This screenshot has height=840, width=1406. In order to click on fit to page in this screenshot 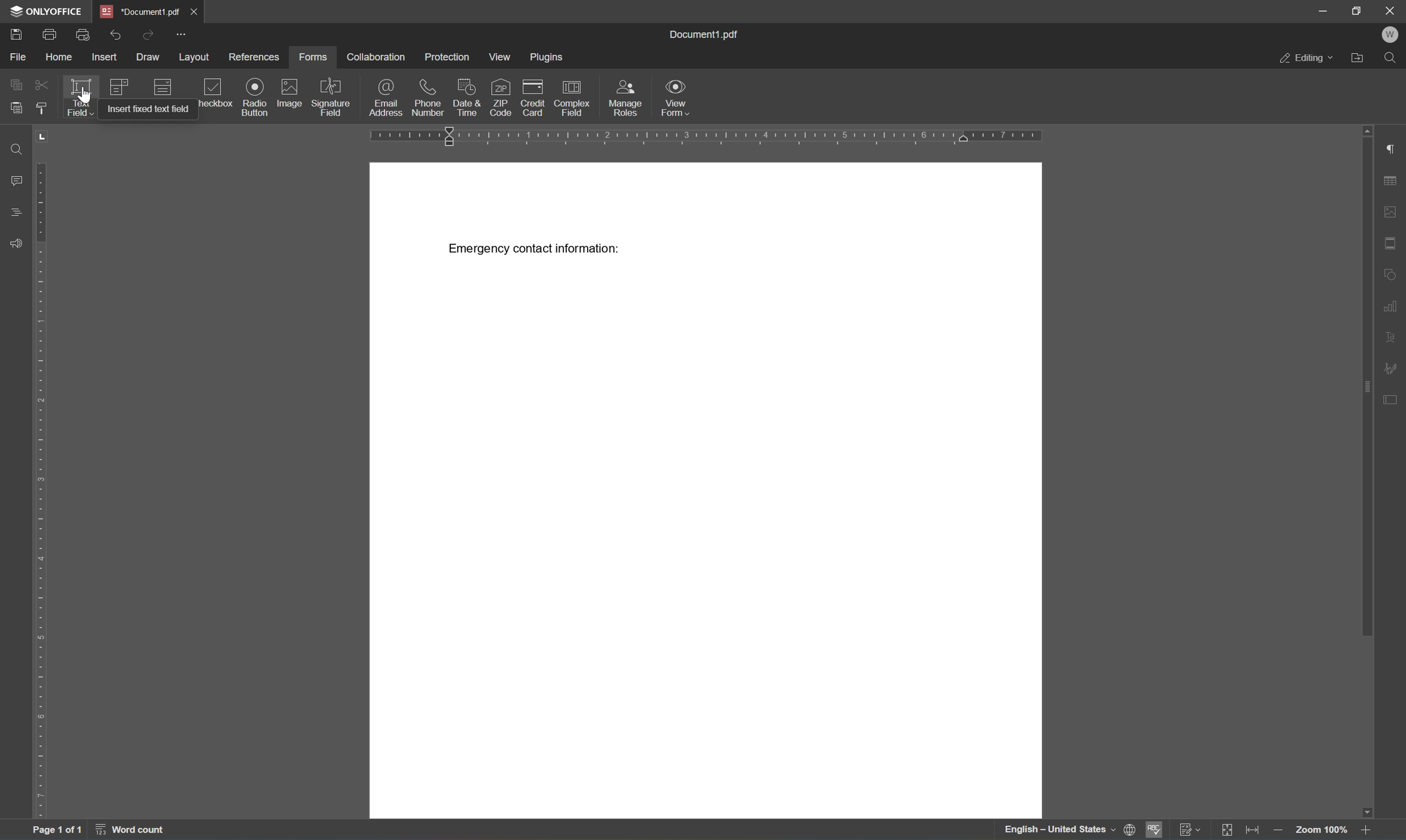, I will do `click(1229, 828)`.